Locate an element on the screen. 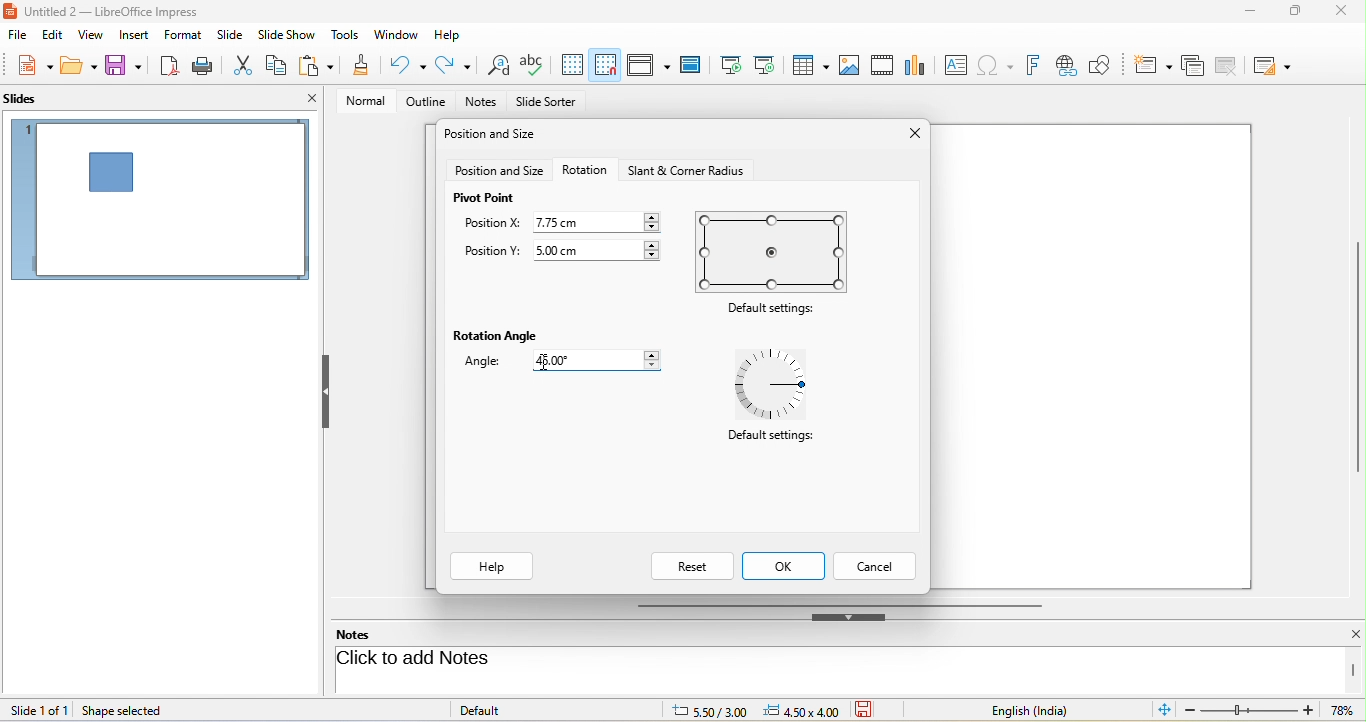 The width and height of the screenshot is (1366, 722). outline is located at coordinates (422, 102).